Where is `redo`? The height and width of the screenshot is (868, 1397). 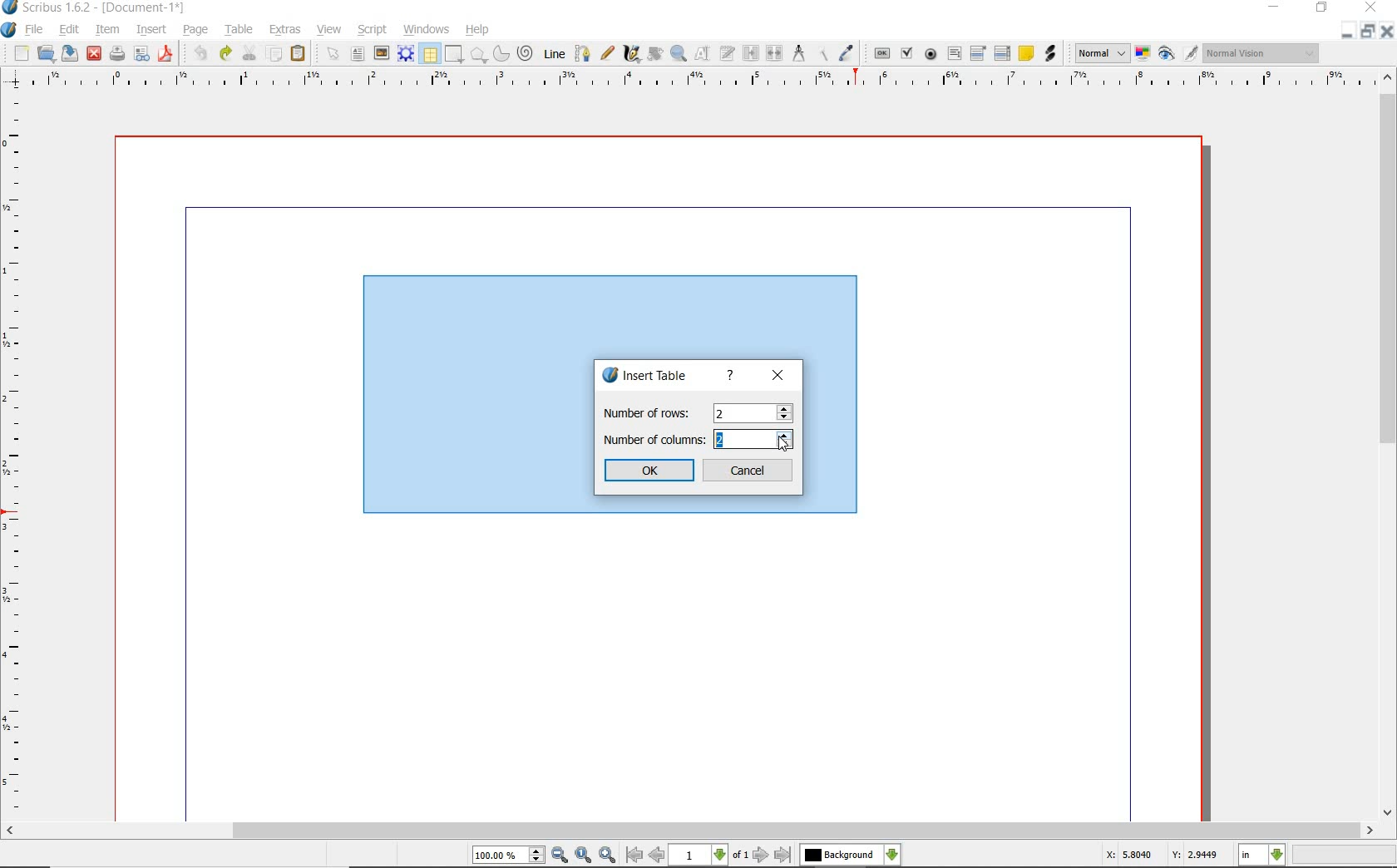 redo is located at coordinates (225, 52).